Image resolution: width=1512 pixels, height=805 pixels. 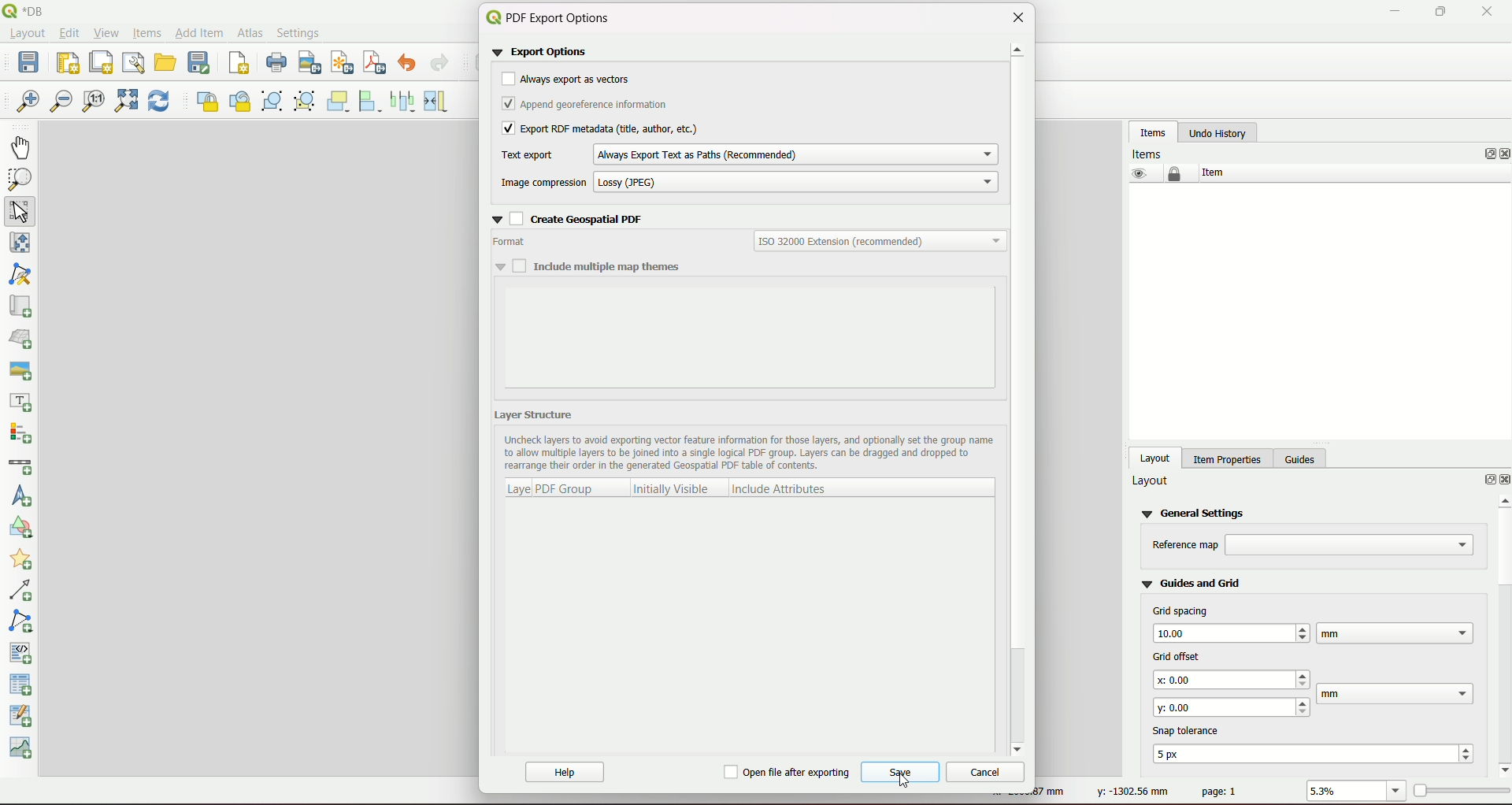 I want to click on text box, so click(x=1395, y=632).